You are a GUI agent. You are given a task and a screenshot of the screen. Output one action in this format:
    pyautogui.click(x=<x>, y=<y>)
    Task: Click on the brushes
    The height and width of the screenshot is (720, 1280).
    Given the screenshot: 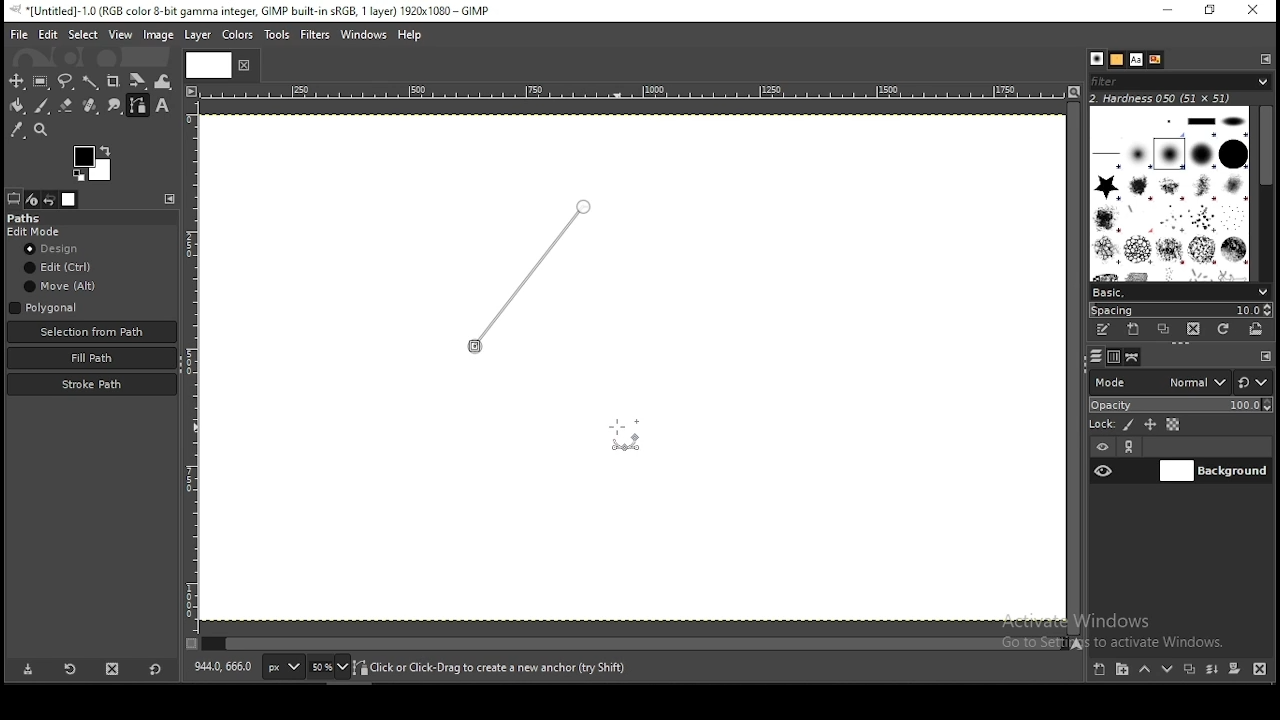 What is the action you would take?
    pyautogui.click(x=1167, y=193)
    